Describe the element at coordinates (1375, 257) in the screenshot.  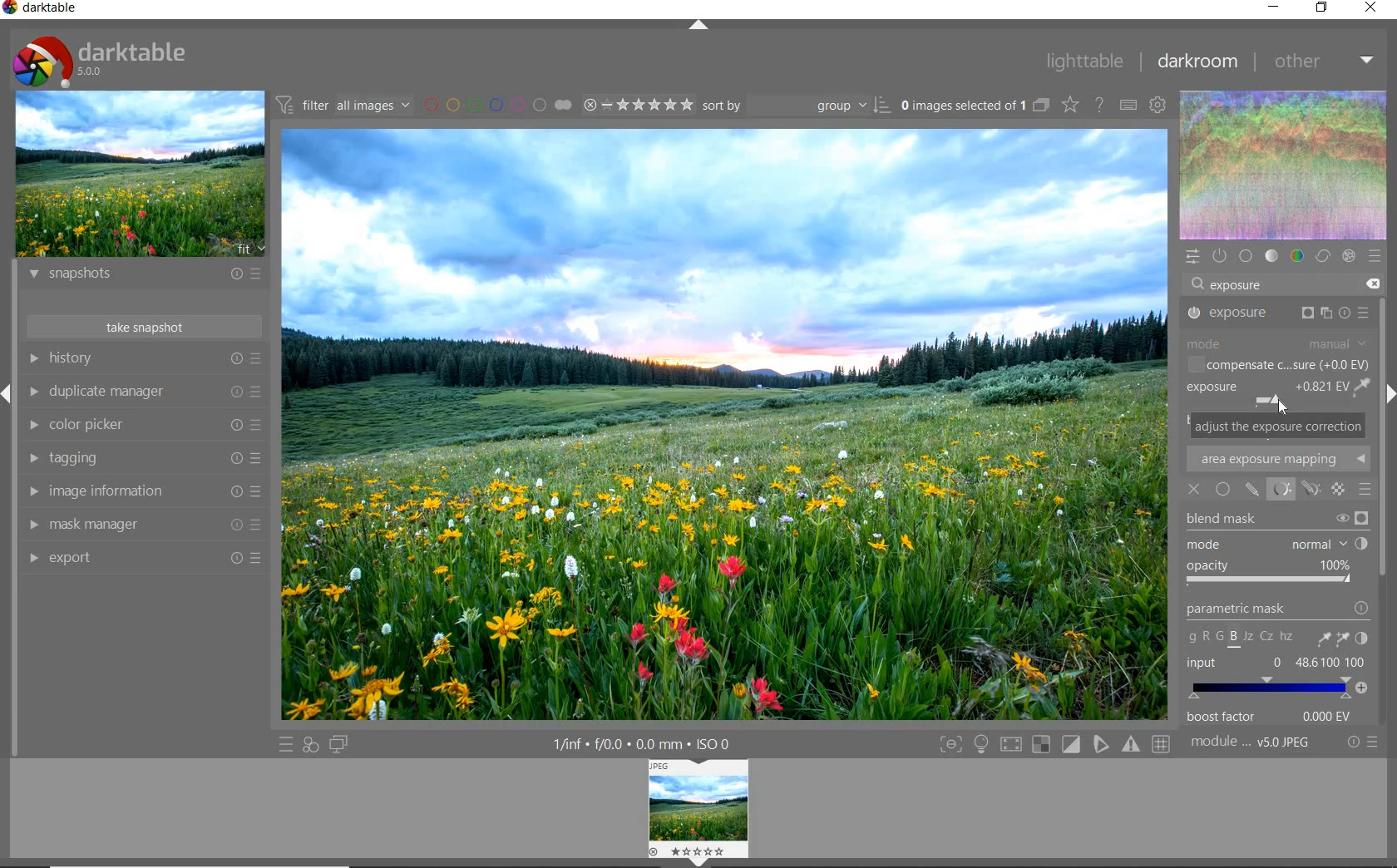
I see `presets` at that location.